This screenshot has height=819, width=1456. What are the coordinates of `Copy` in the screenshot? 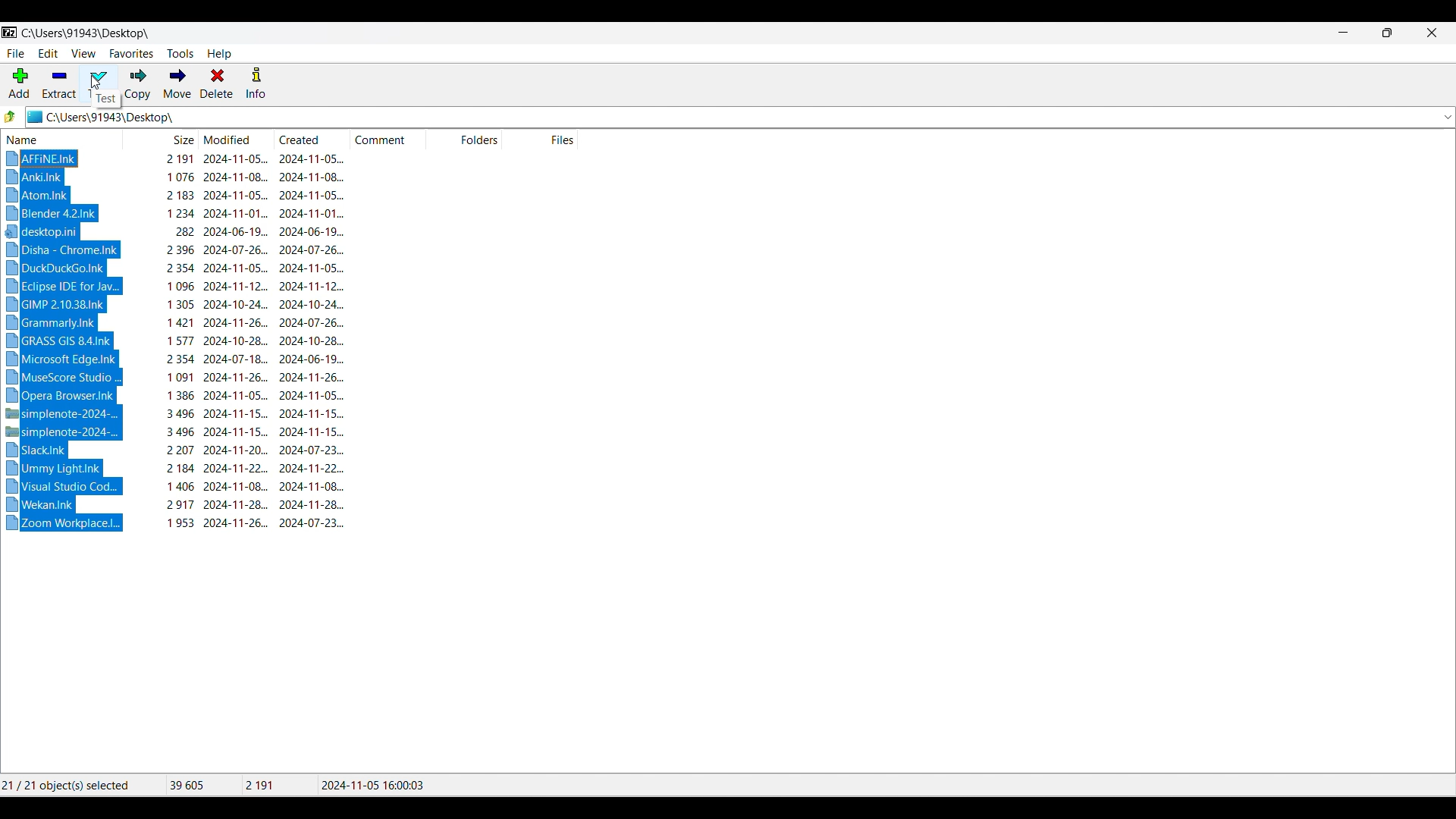 It's located at (138, 84).